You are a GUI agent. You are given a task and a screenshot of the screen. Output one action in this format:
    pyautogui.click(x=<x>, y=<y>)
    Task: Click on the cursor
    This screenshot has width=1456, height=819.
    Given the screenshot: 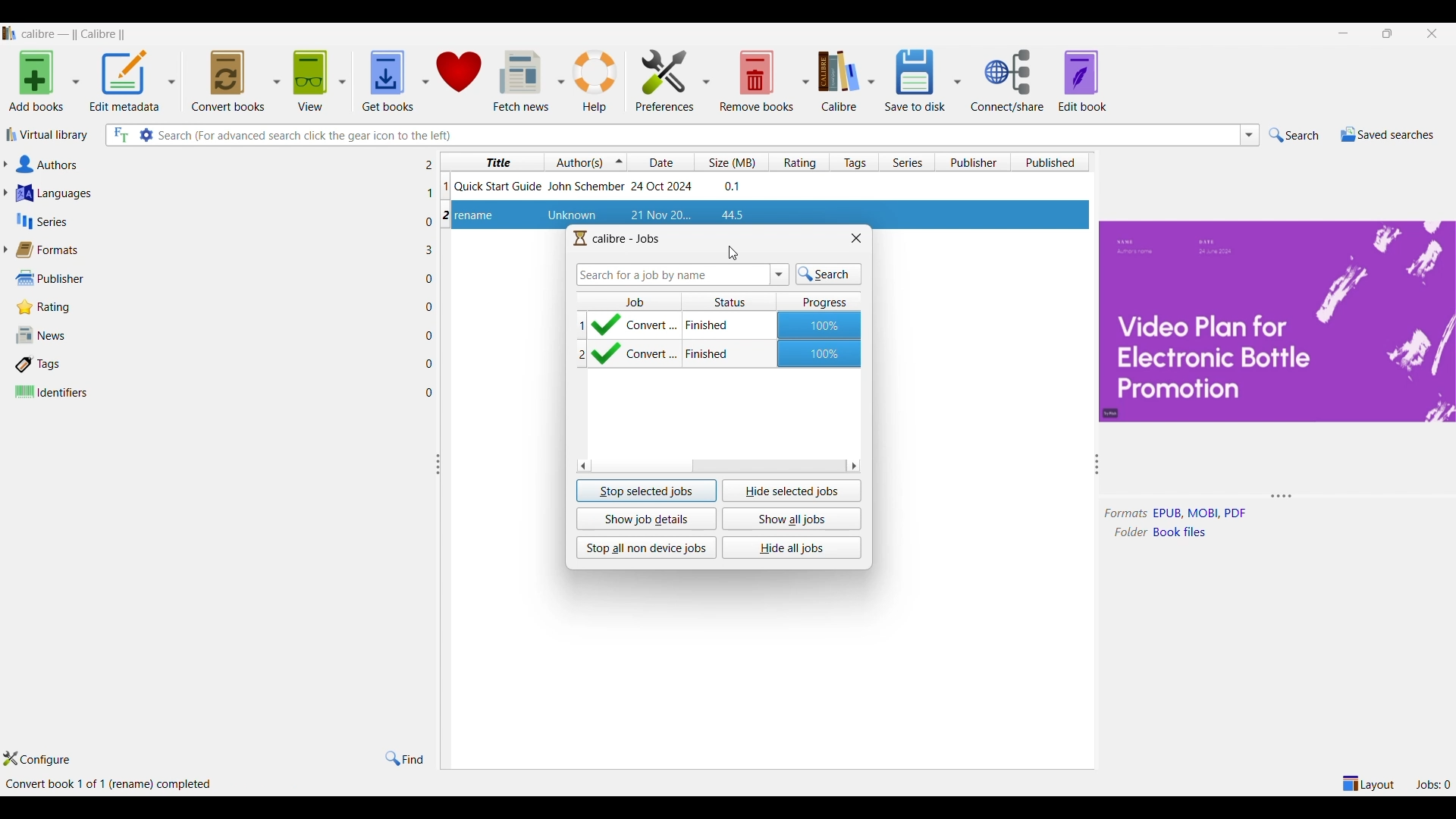 What is the action you would take?
    pyautogui.click(x=734, y=254)
    